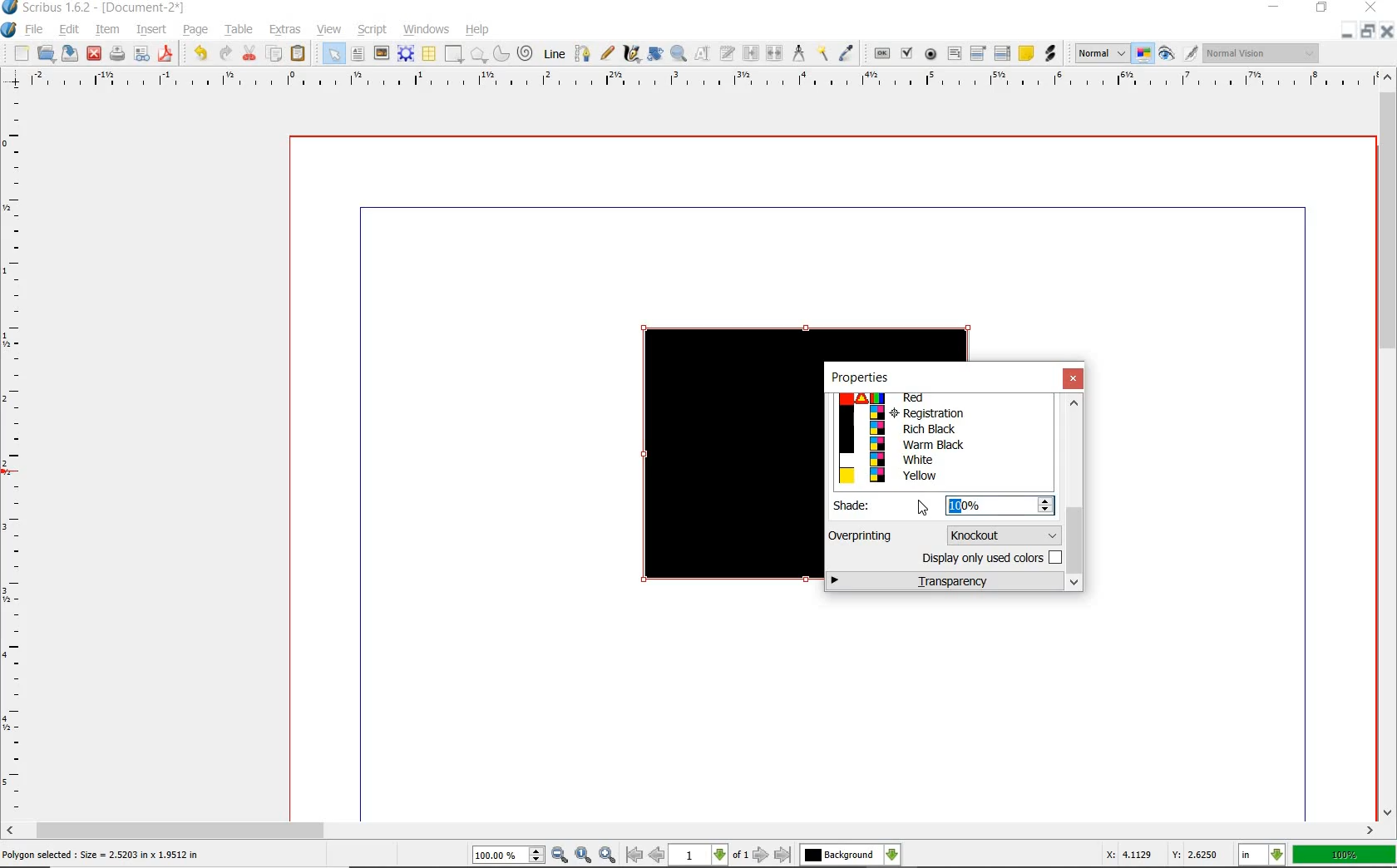 The image size is (1397, 868). Describe the element at coordinates (701, 54) in the screenshot. I see `edit content of frame` at that location.